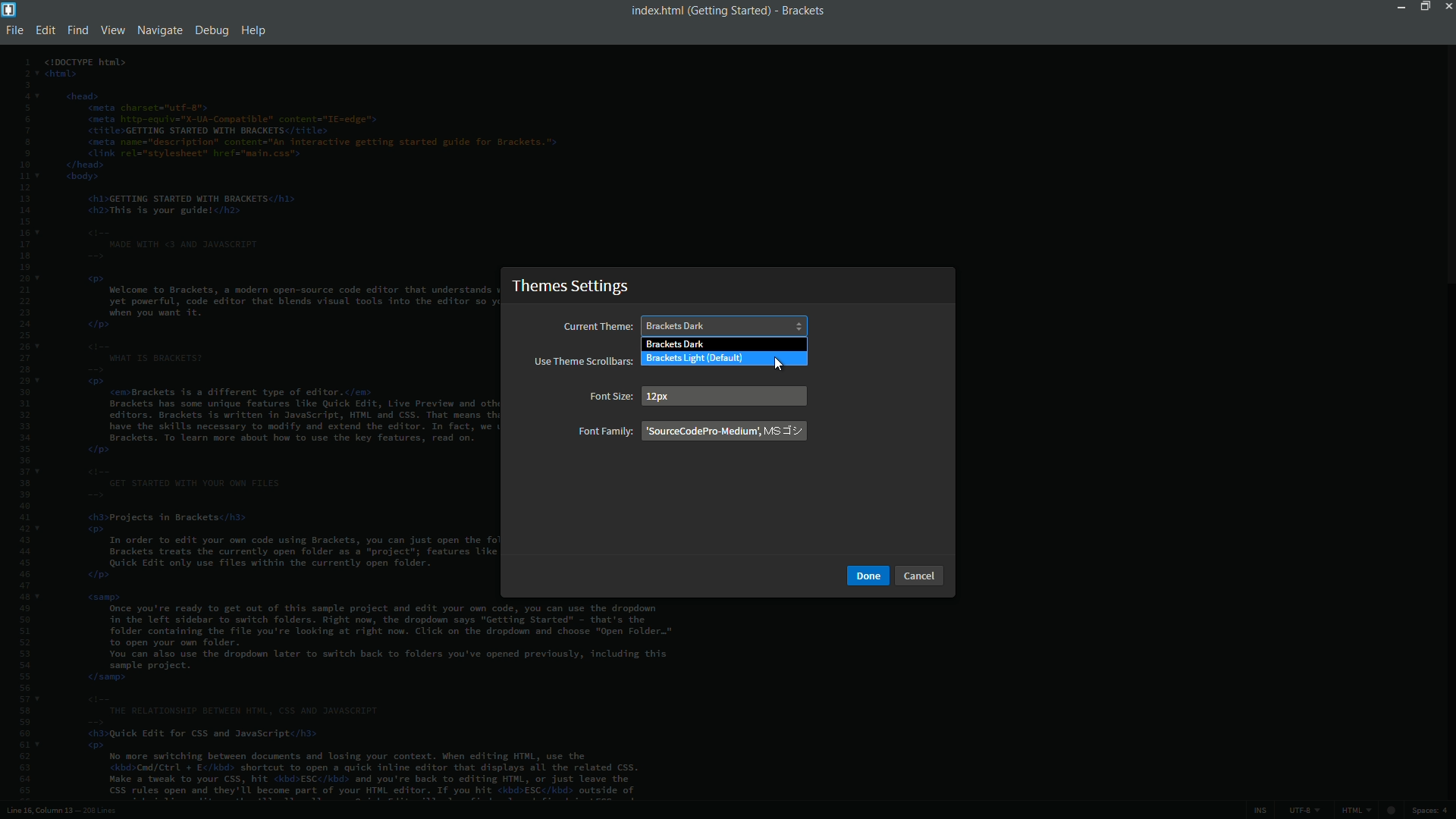  Describe the element at coordinates (1422, 6) in the screenshot. I see `maximize` at that location.